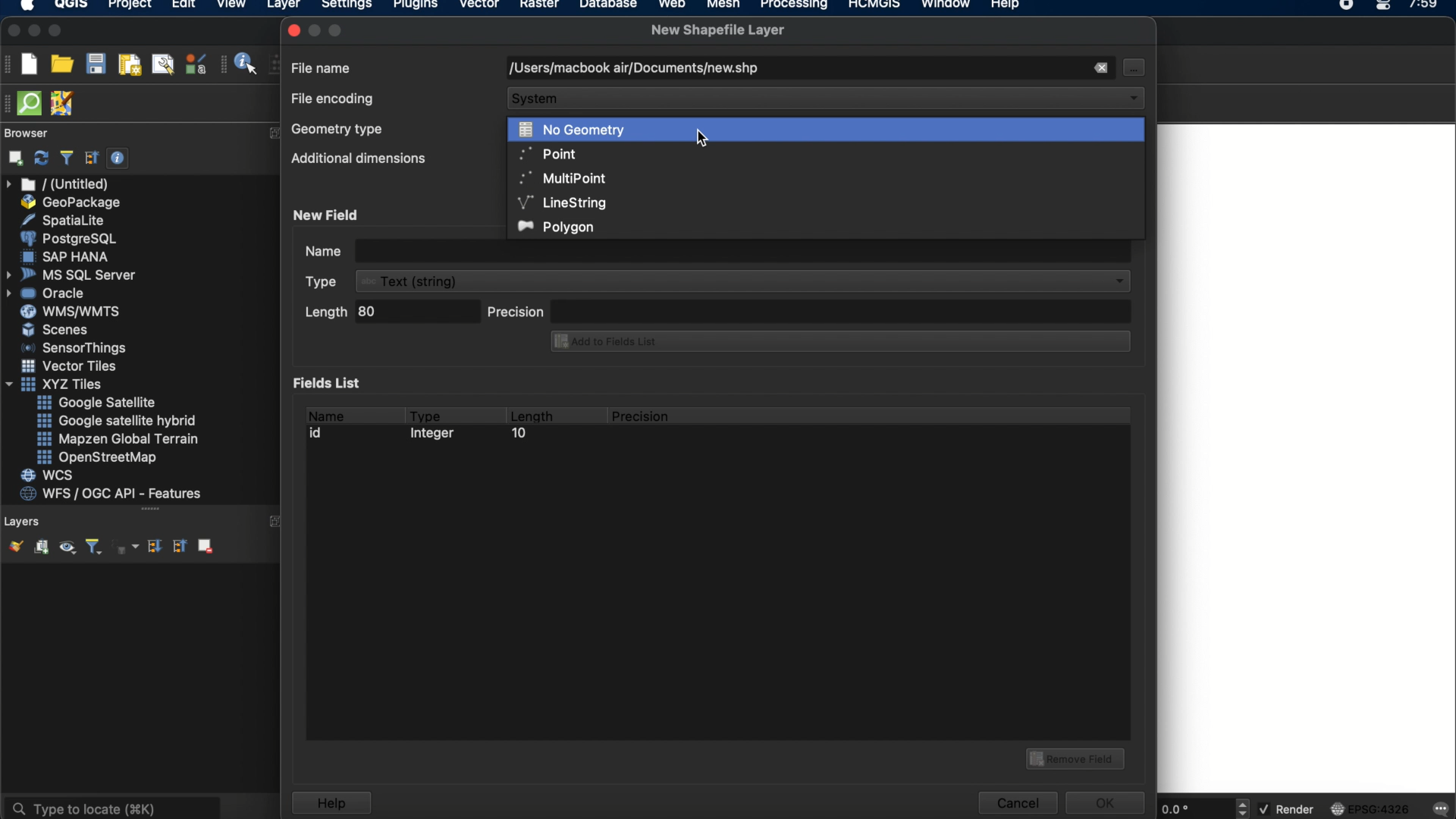 This screenshot has height=819, width=1456. What do you see at coordinates (41, 548) in the screenshot?
I see `add group` at bounding box center [41, 548].